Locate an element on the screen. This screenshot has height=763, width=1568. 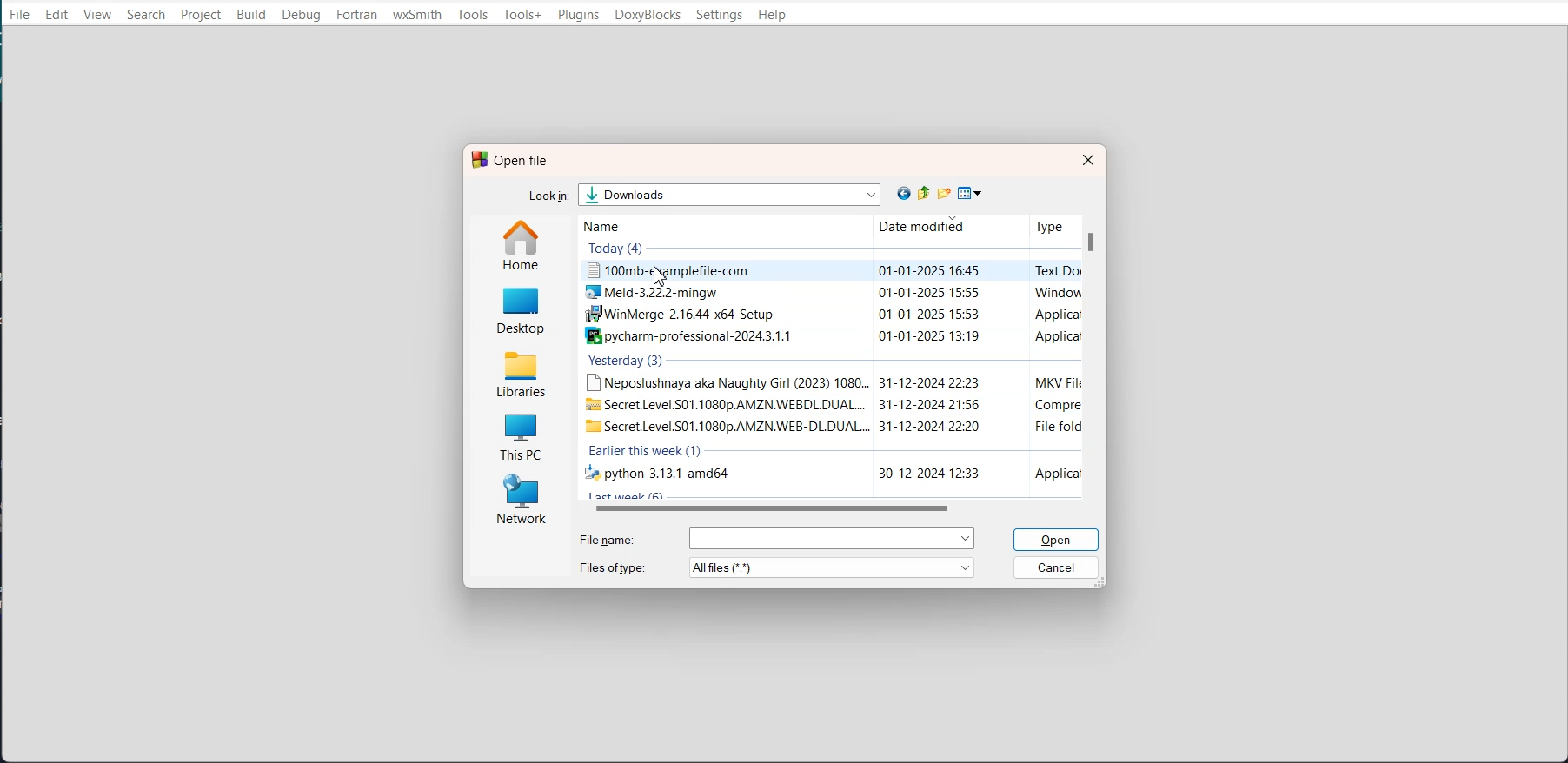
Home is located at coordinates (523, 244).